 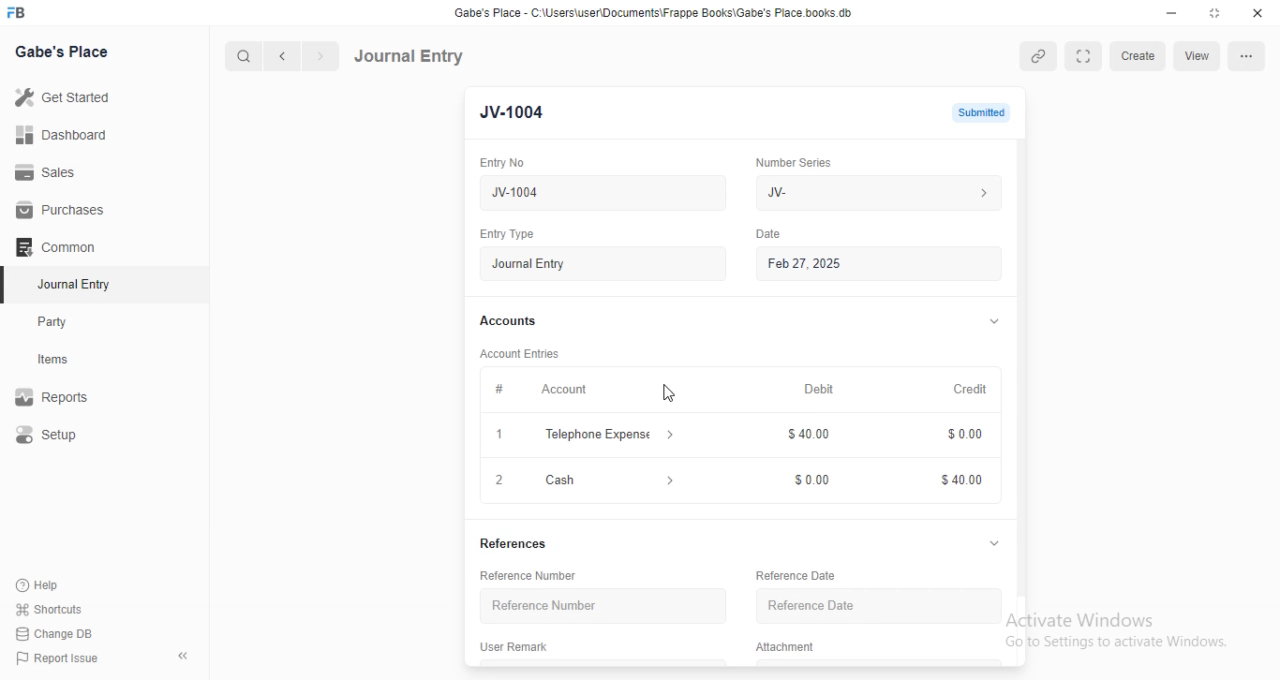 What do you see at coordinates (803, 435) in the screenshot?
I see `40.00` at bounding box center [803, 435].